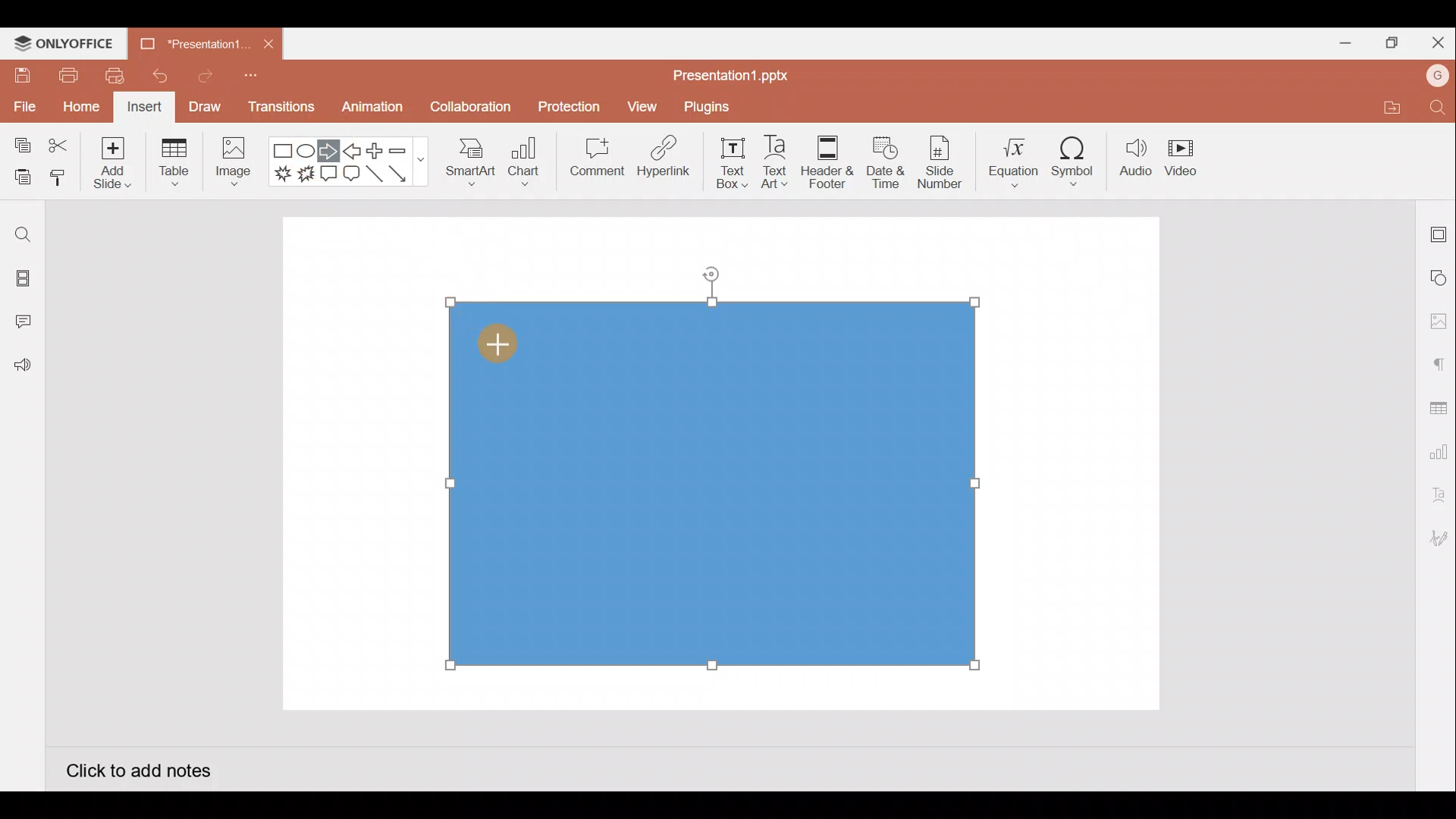 This screenshot has height=819, width=1456. Describe the element at coordinates (268, 40) in the screenshot. I see `Close document` at that location.